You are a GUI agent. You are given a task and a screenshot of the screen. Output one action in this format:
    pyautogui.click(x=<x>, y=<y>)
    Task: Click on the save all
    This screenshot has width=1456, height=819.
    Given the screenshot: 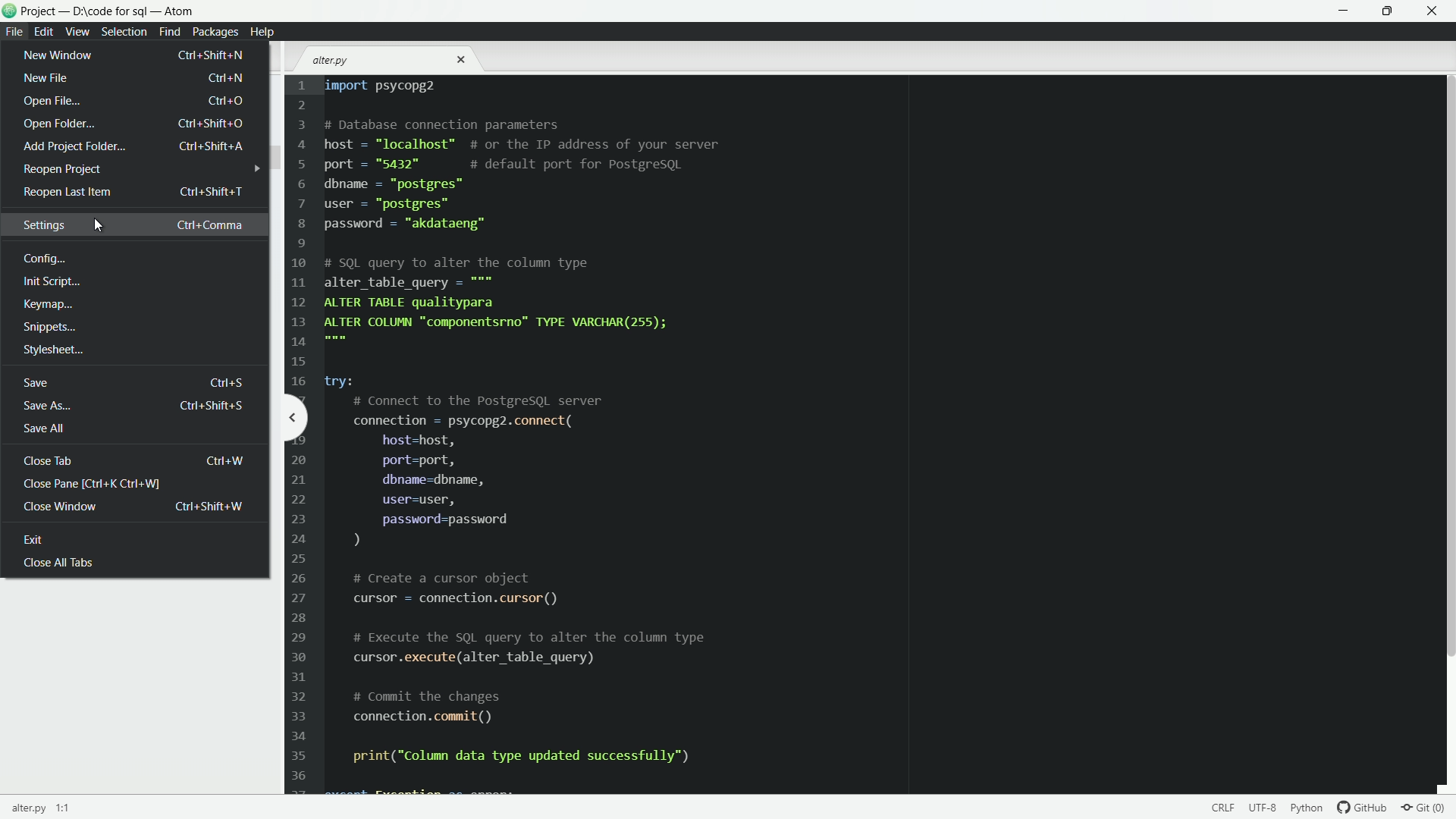 What is the action you would take?
    pyautogui.click(x=41, y=427)
    